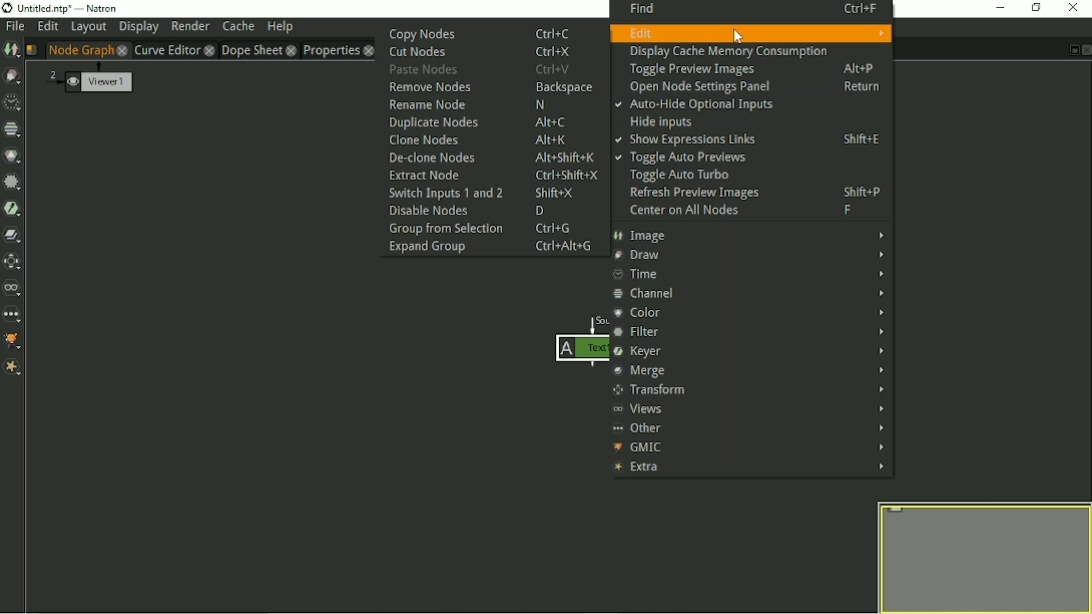 The height and width of the screenshot is (614, 1092). What do you see at coordinates (491, 176) in the screenshot?
I see `Extract Node` at bounding box center [491, 176].